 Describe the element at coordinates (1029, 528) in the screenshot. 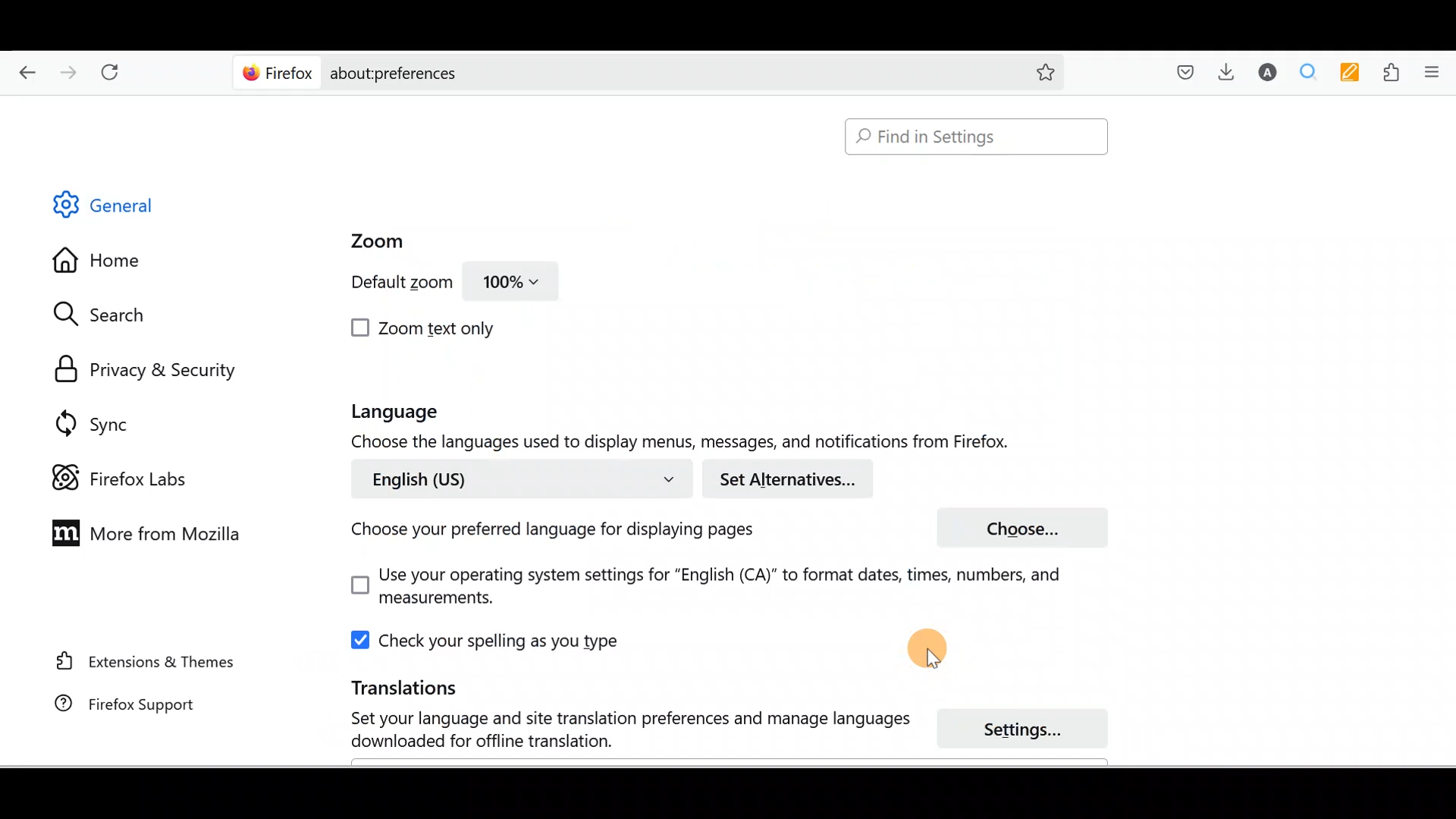

I see `choose` at that location.